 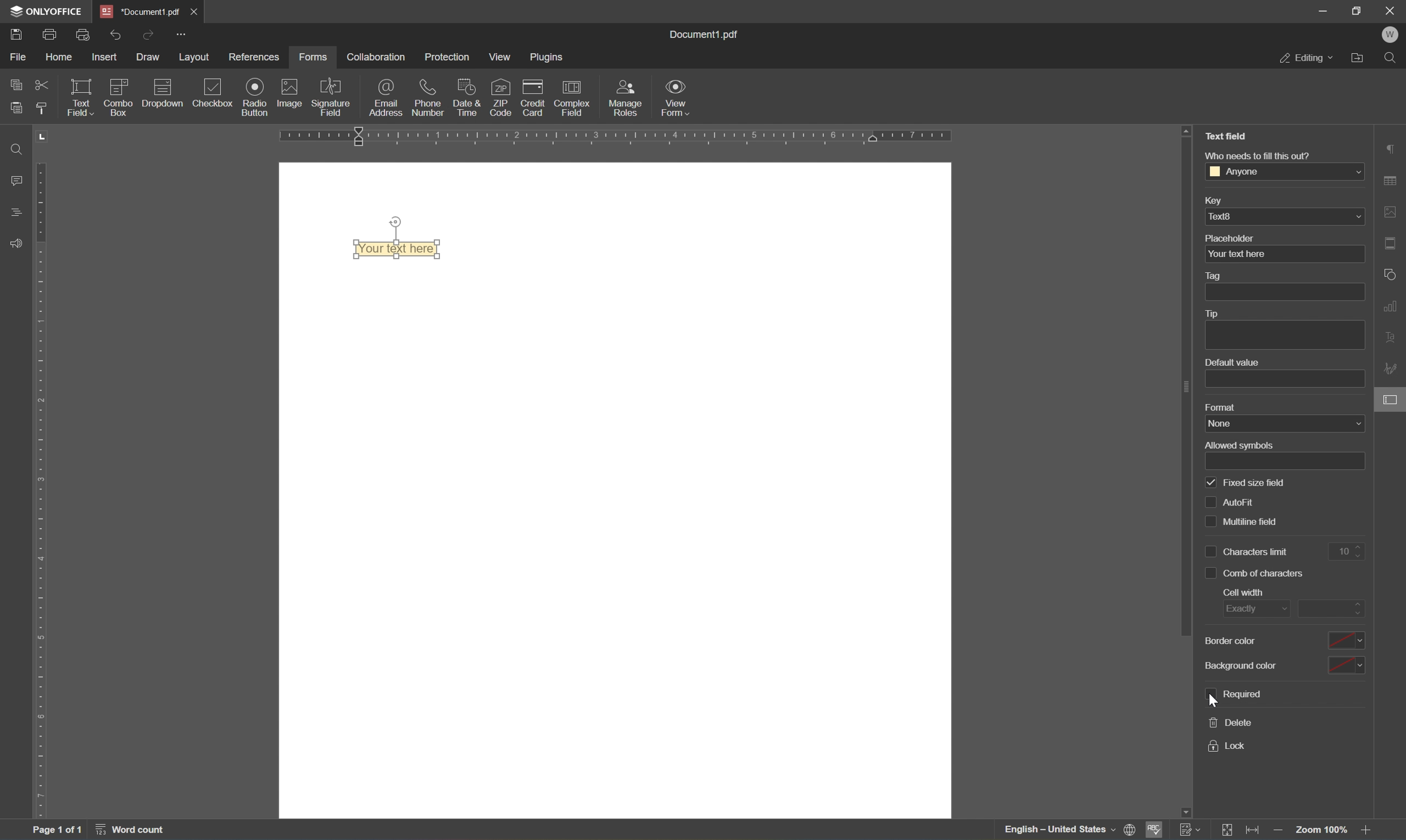 I want to click on find, so click(x=20, y=148).